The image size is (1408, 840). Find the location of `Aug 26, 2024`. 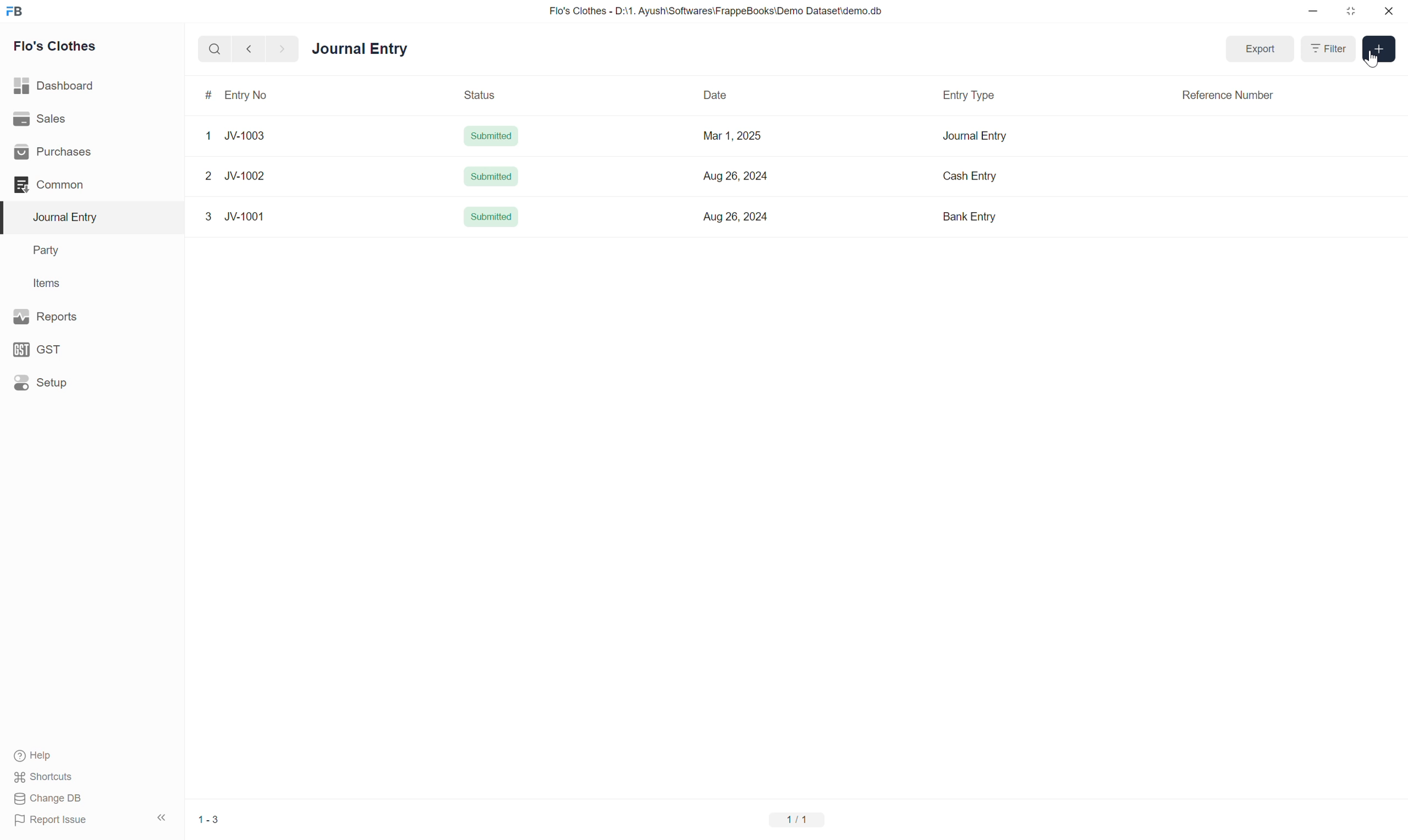

Aug 26, 2024 is located at coordinates (736, 217).